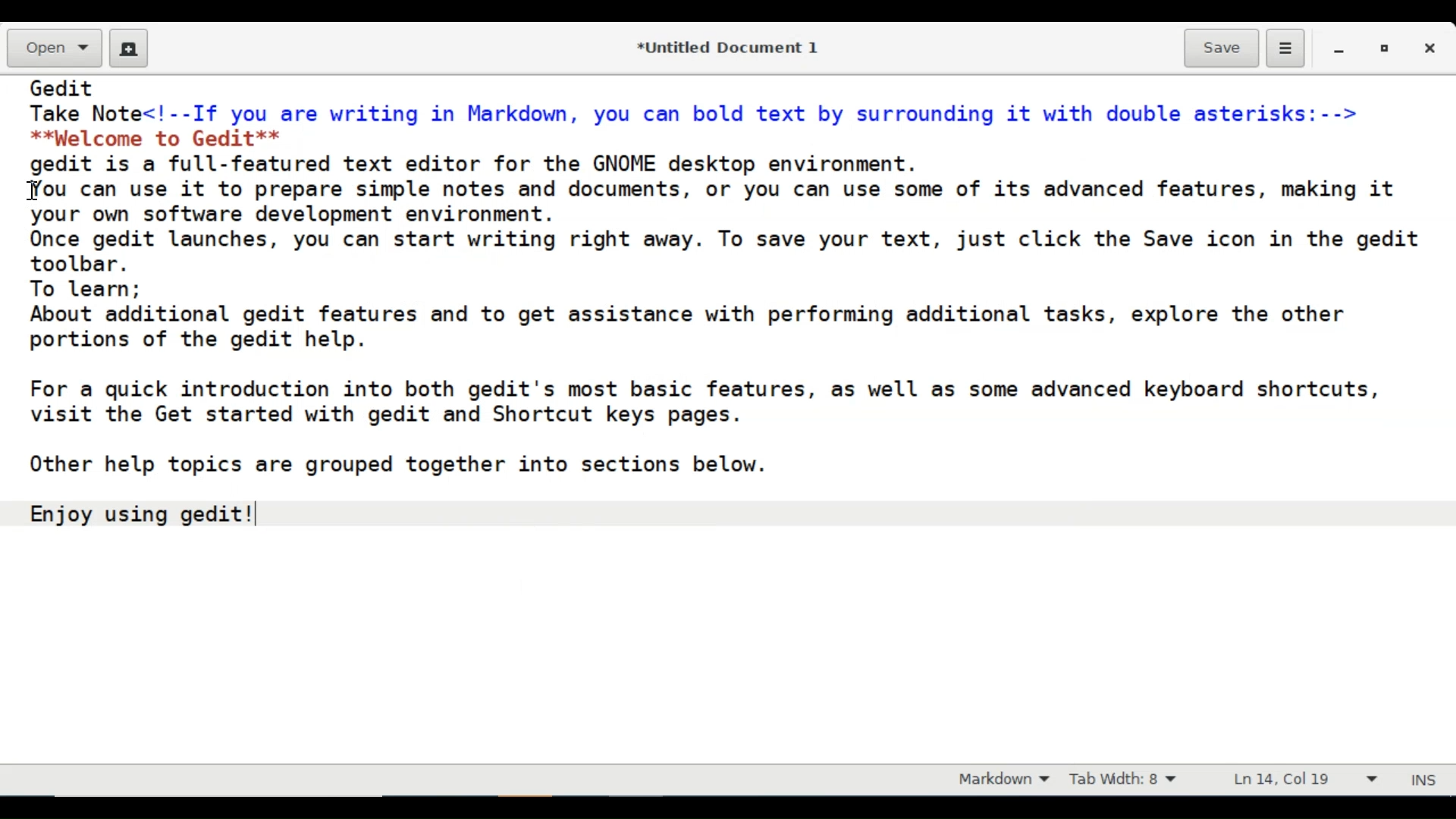 The width and height of the screenshot is (1456, 819). What do you see at coordinates (1304, 777) in the screenshot?
I see `Line & Column Preference` at bounding box center [1304, 777].